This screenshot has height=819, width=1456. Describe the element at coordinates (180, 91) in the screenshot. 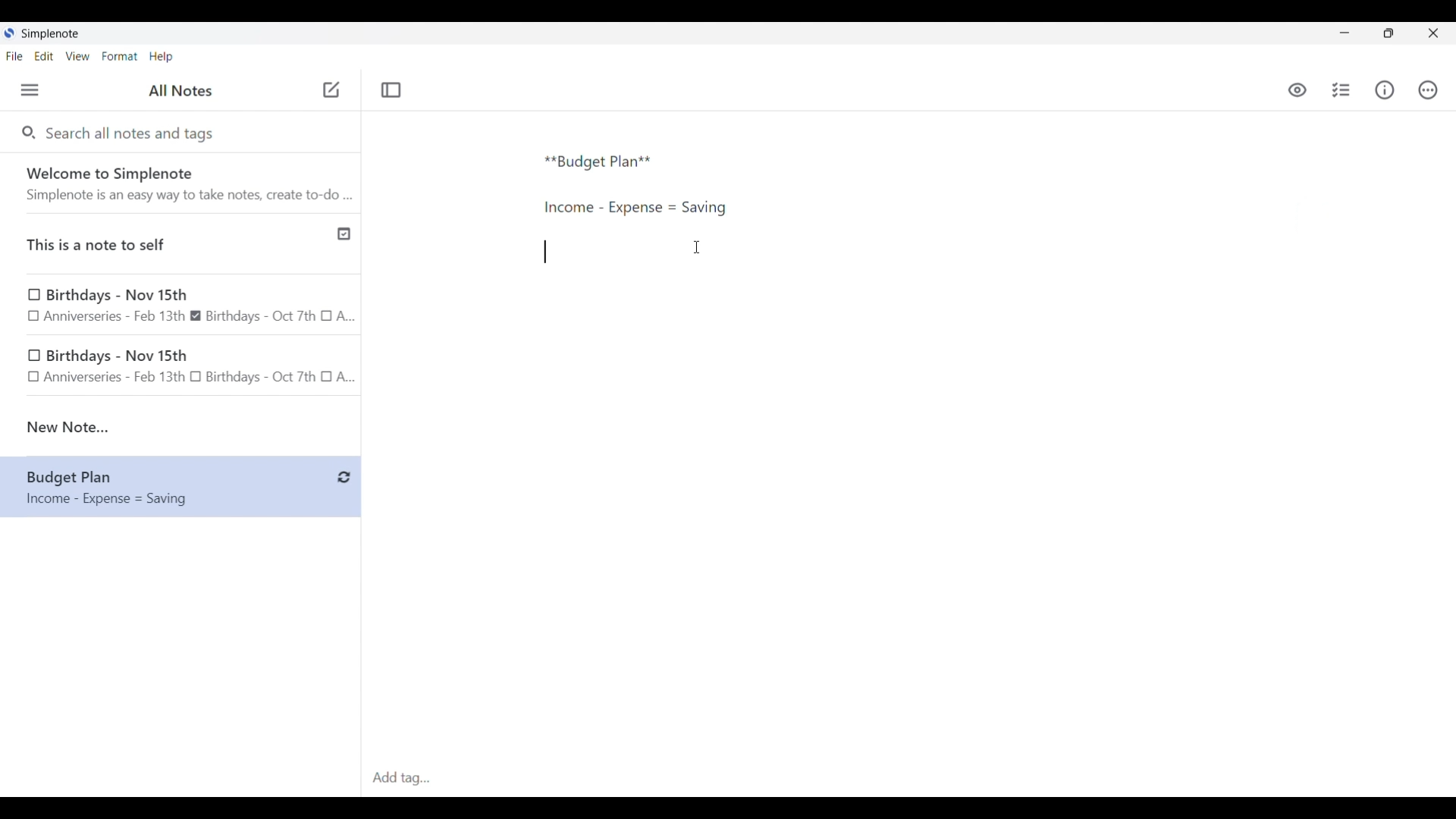

I see `Title of left side panel` at that location.